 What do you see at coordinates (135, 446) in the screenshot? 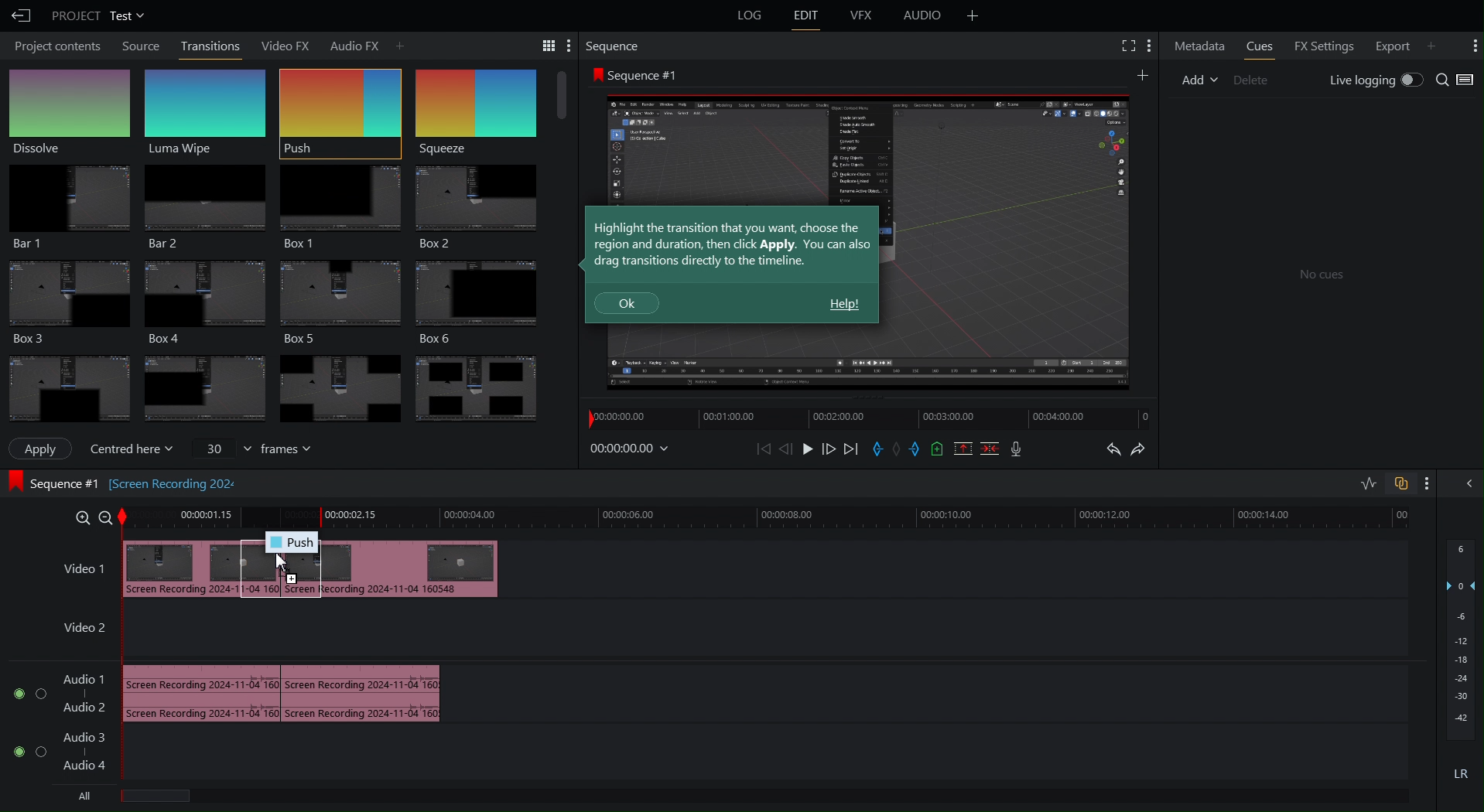
I see `Centered here` at bounding box center [135, 446].